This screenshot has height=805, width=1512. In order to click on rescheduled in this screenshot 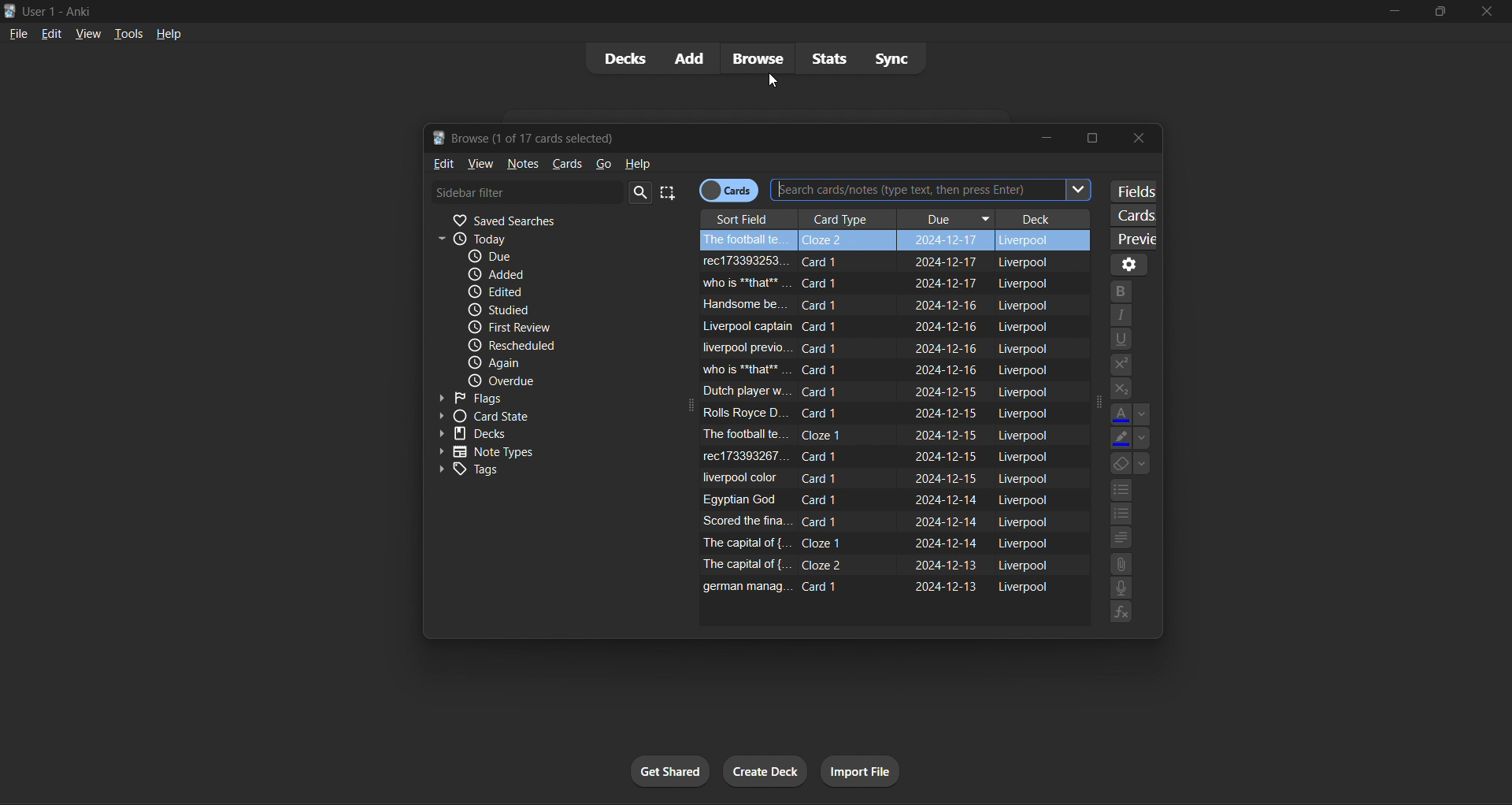, I will do `click(543, 345)`.